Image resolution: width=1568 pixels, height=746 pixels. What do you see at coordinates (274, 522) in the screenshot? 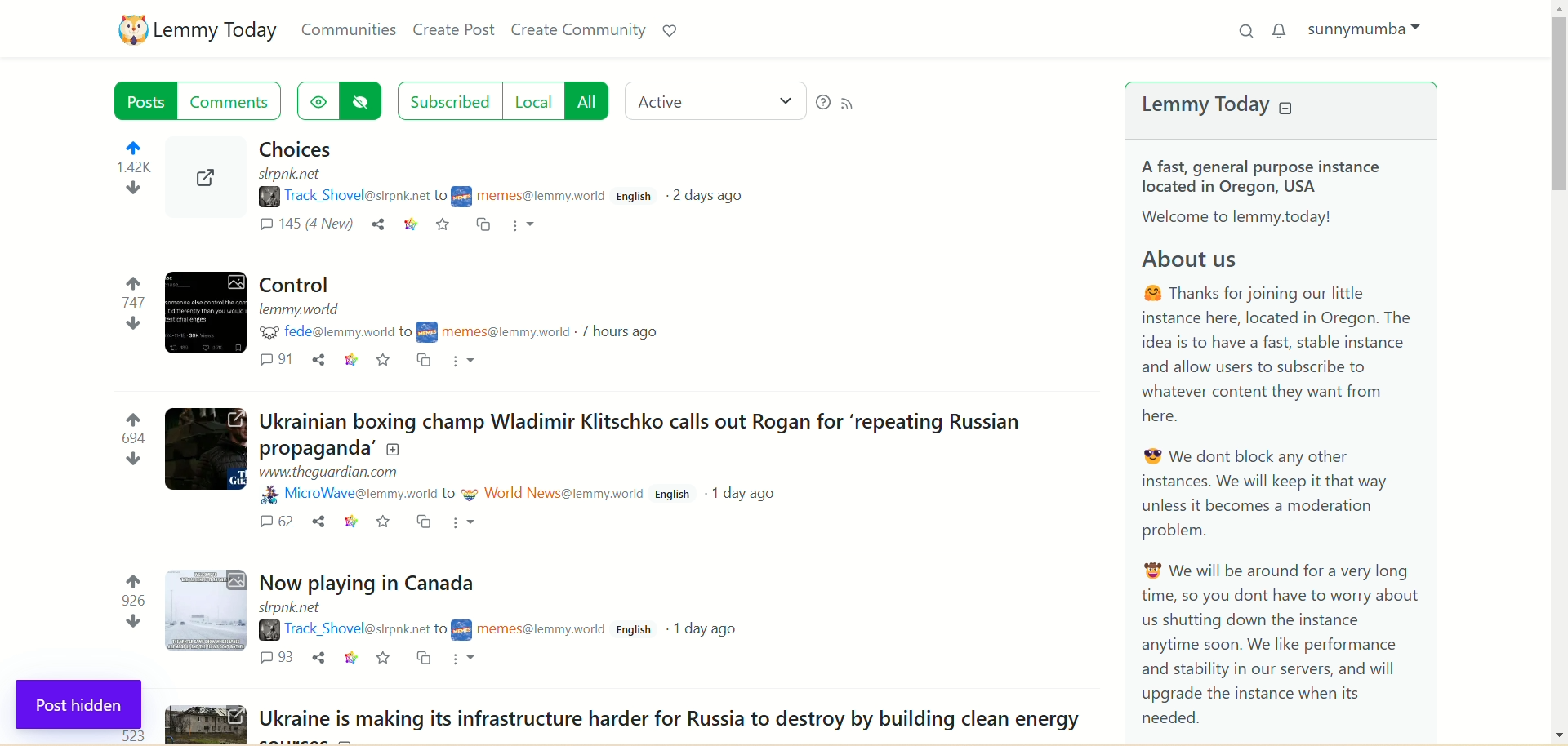
I see `comments` at bounding box center [274, 522].